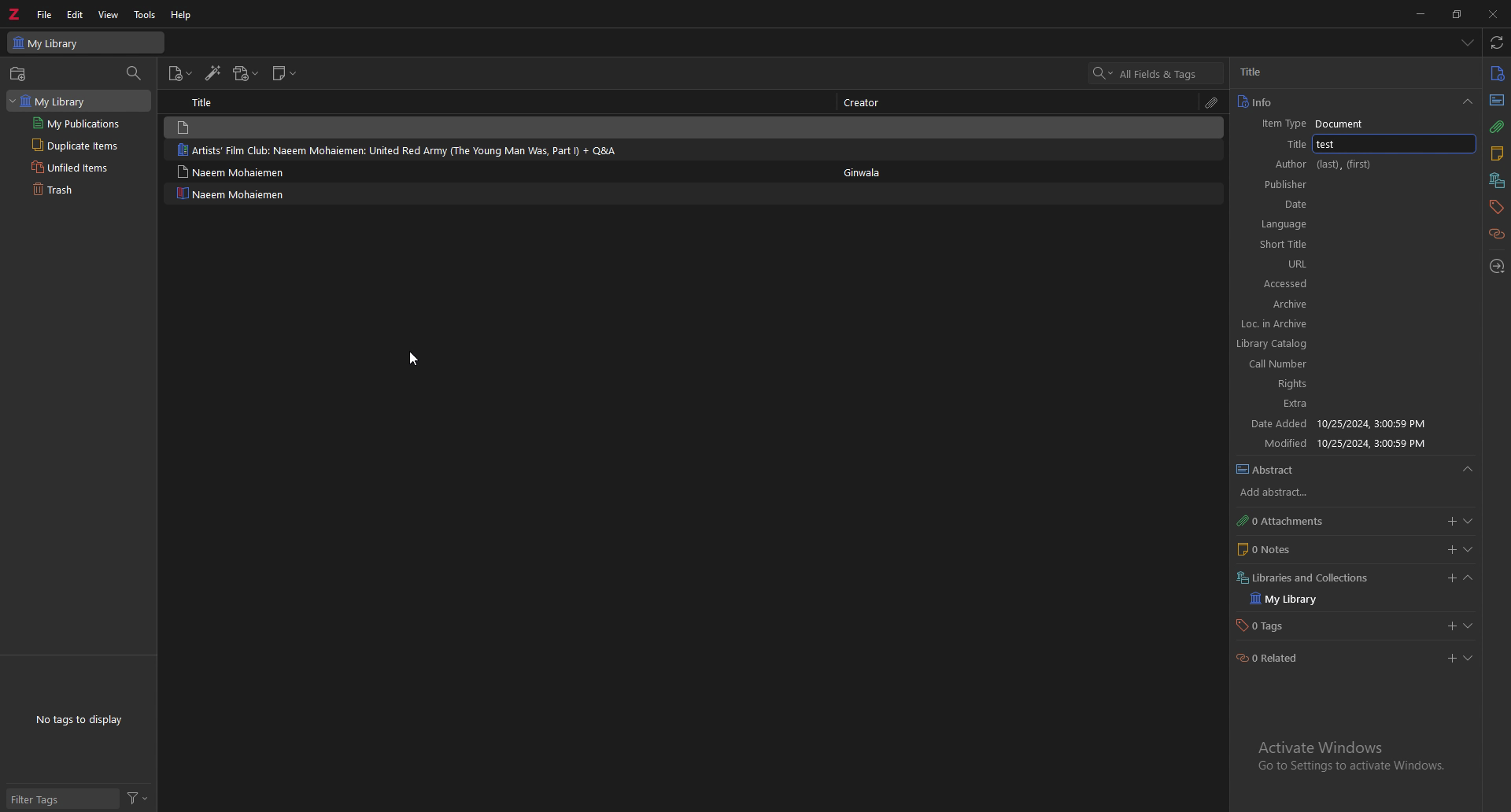 The image size is (1511, 812). What do you see at coordinates (109, 14) in the screenshot?
I see `view` at bounding box center [109, 14].